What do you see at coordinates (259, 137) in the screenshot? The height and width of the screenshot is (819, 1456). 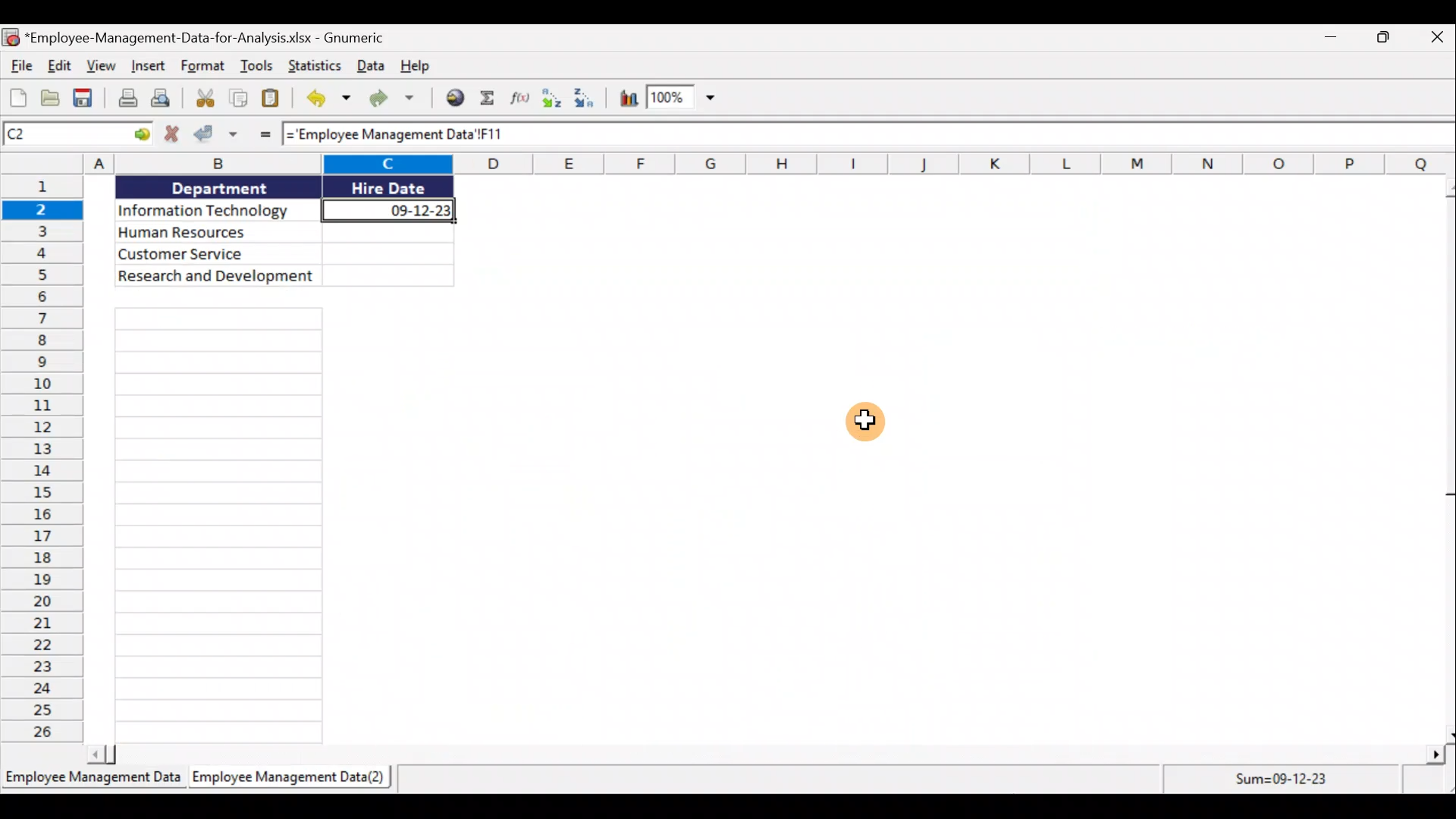 I see `Enter formula` at bounding box center [259, 137].